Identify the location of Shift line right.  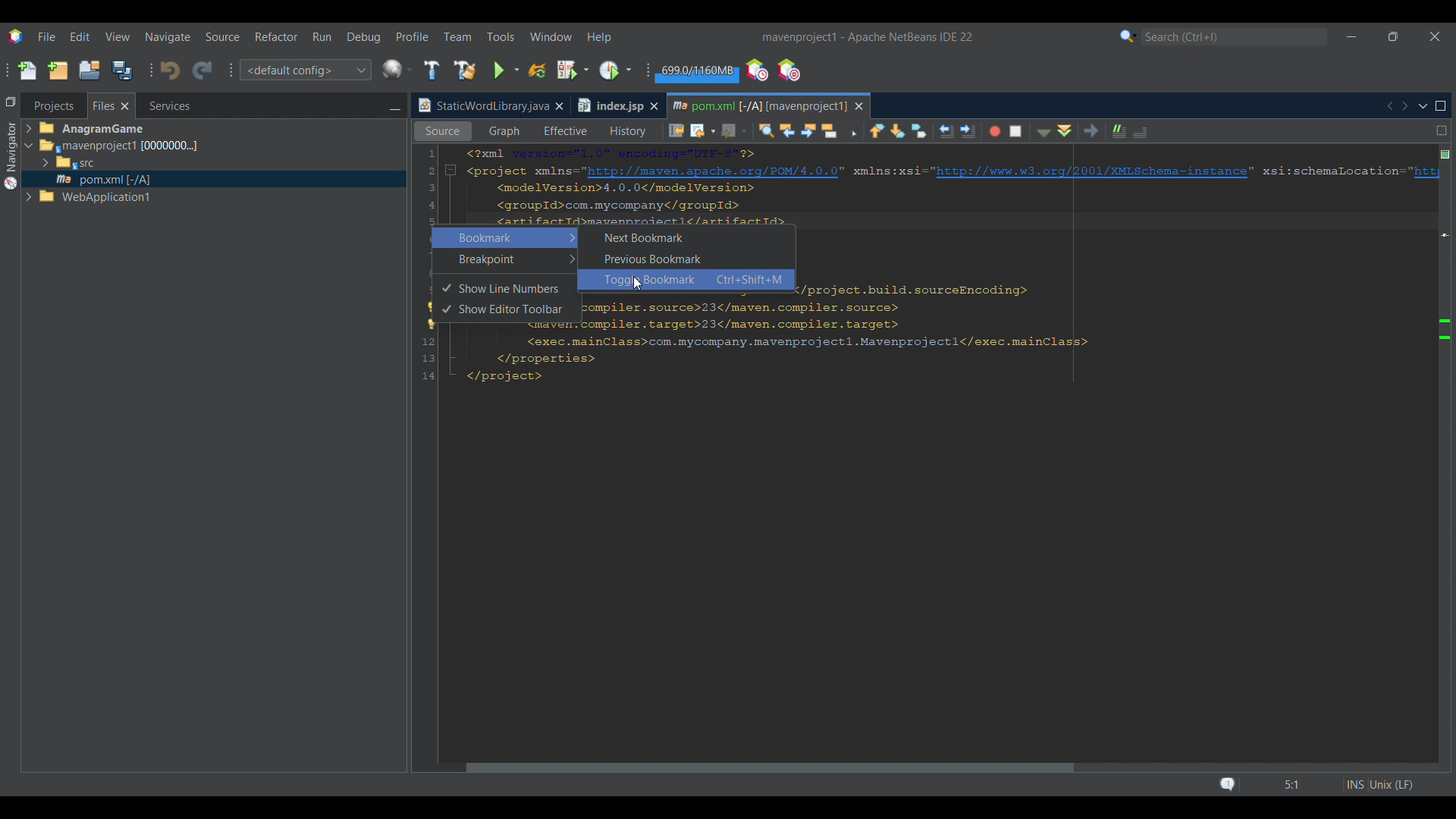
(964, 130).